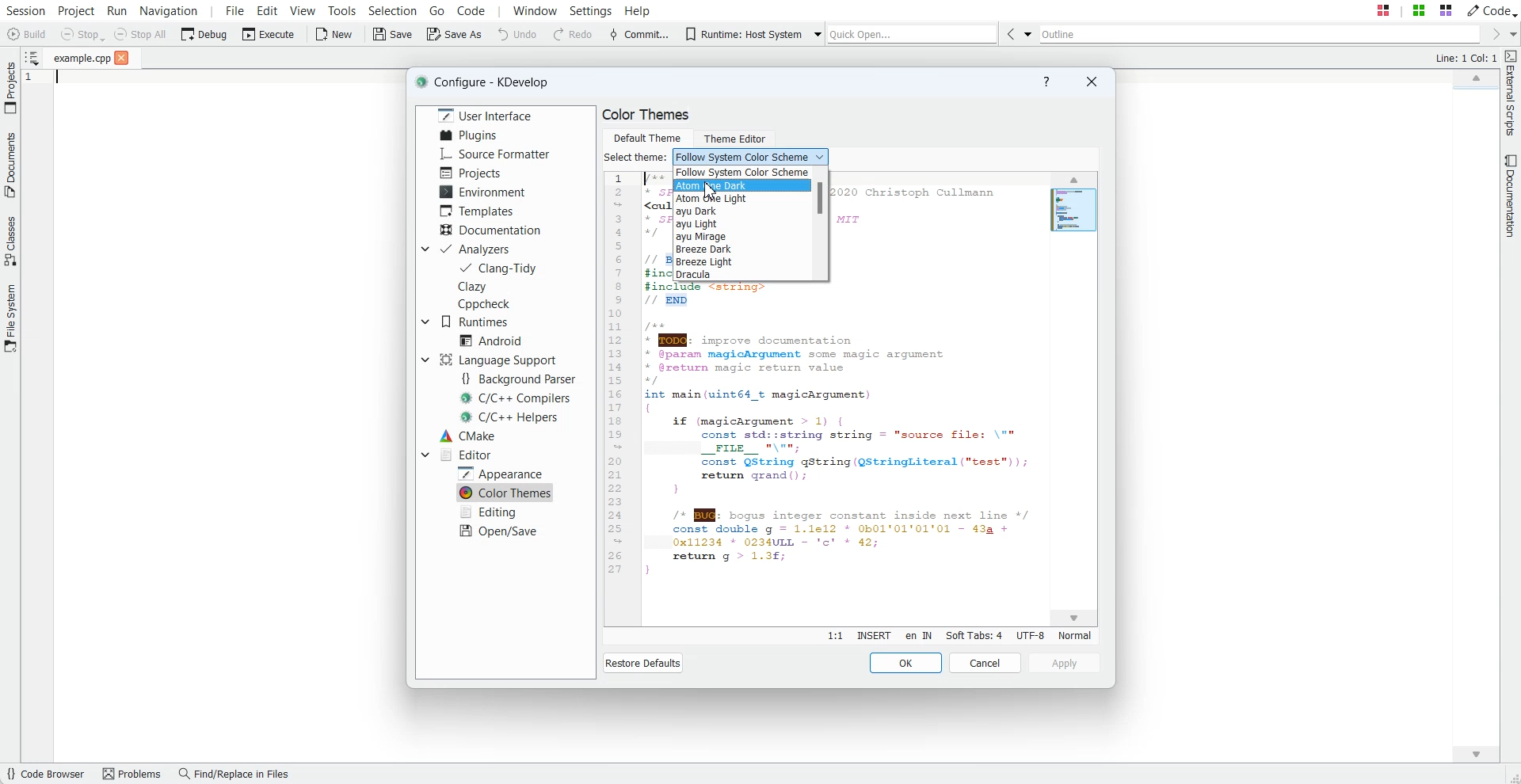 The width and height of the screenshot is (1521, 784). What do you see at coordinates (437, 10) in the screenshot?
I see `Go` at bounding box center [437, 10].